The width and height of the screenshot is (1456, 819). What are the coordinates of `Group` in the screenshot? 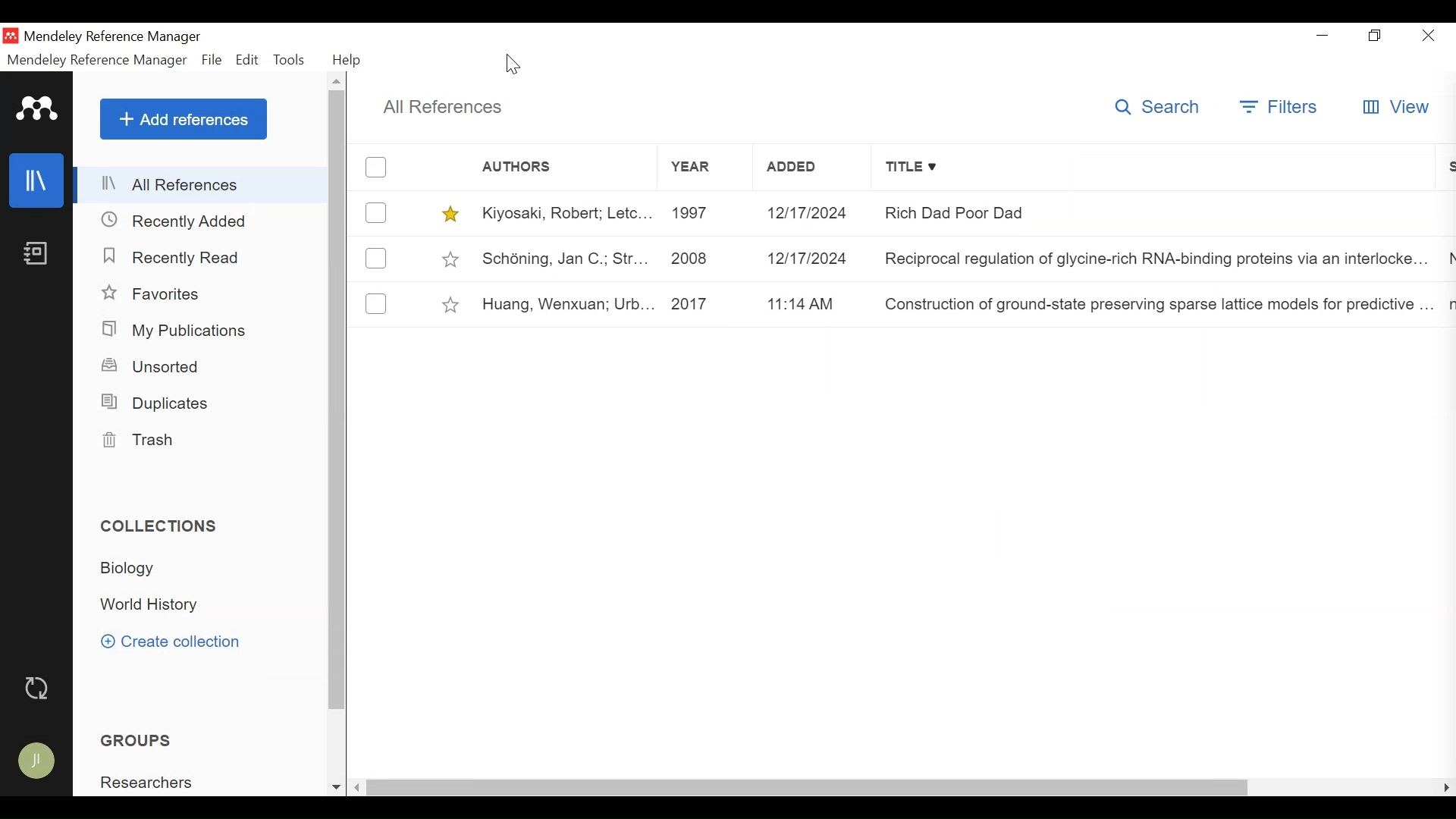 It's located at (149, 781).